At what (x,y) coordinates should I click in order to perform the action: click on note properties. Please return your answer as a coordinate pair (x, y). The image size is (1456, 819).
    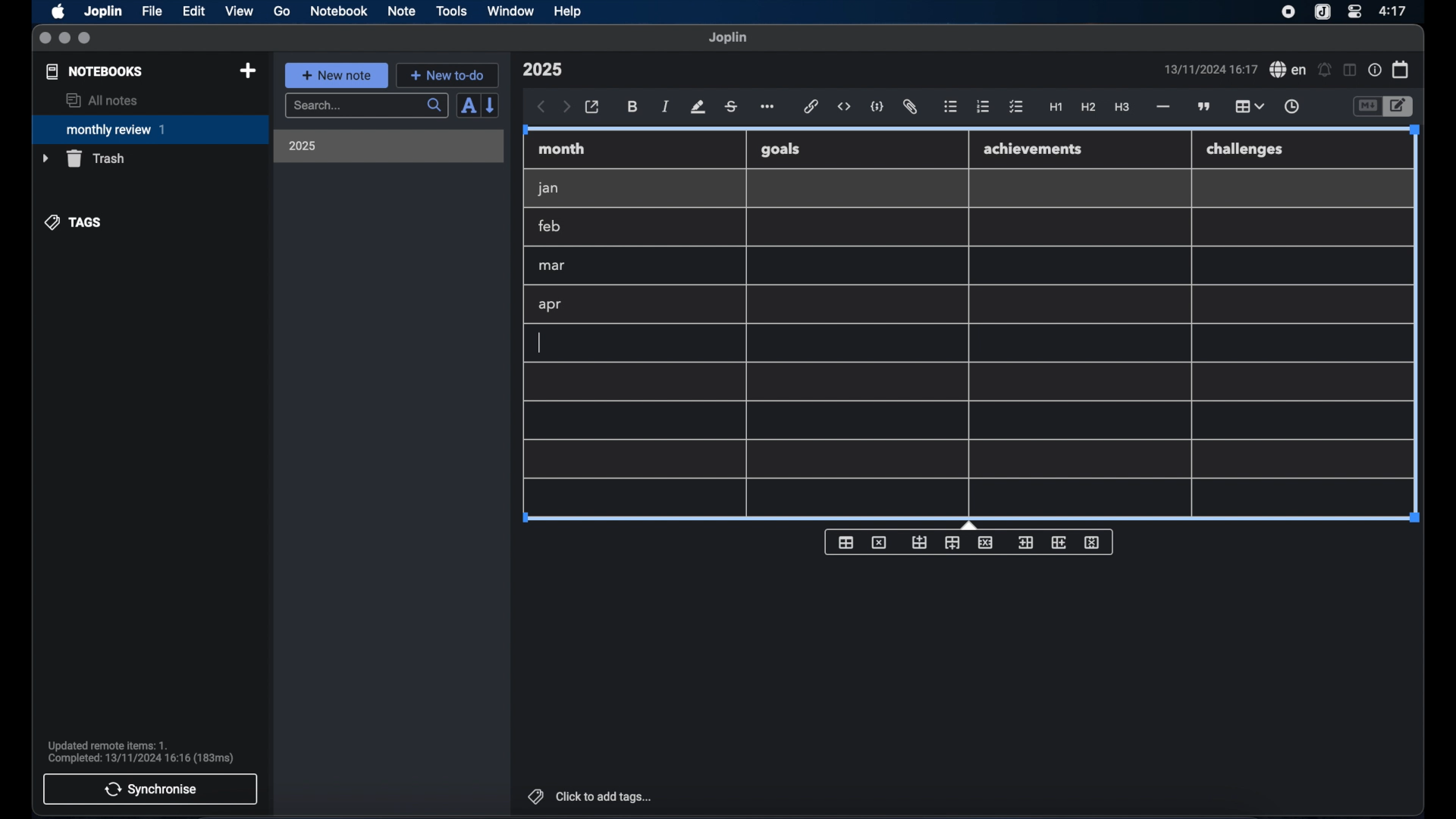
    Looking at the image, I should click on (1375, 71).